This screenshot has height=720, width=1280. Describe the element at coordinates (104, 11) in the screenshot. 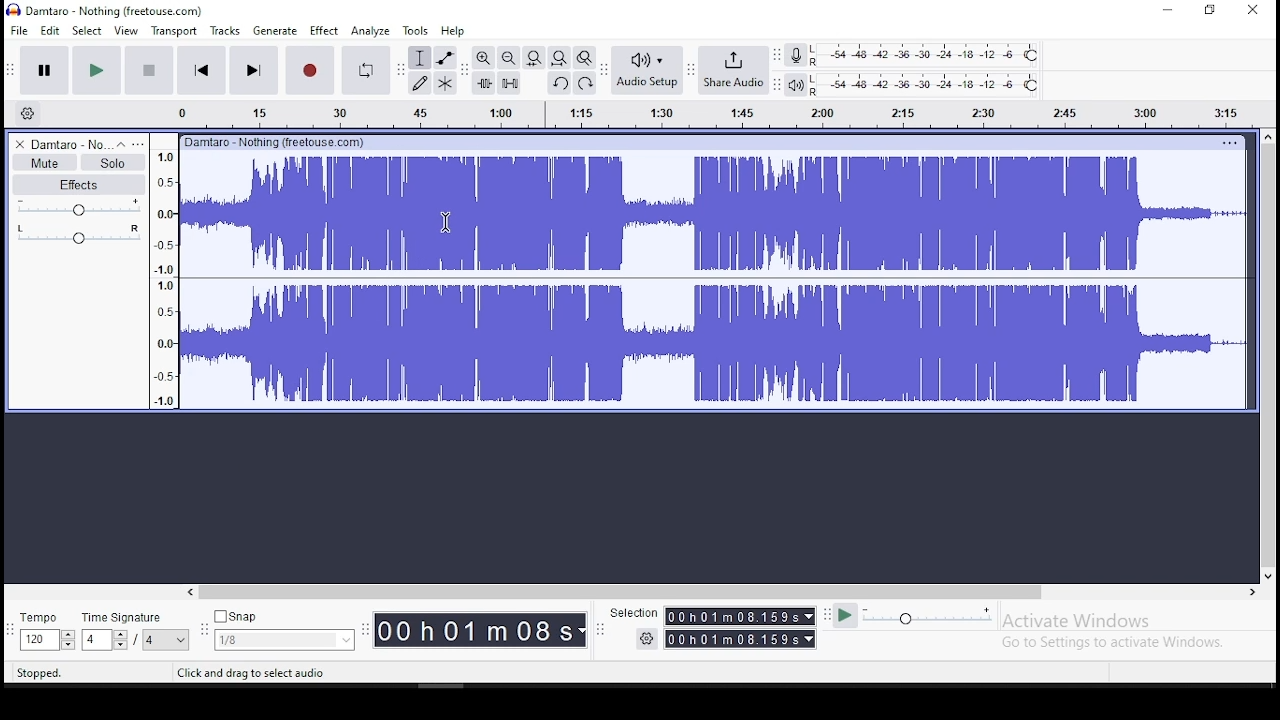

I see `Damtaro - Nothing (freetouse.com)` at that location.